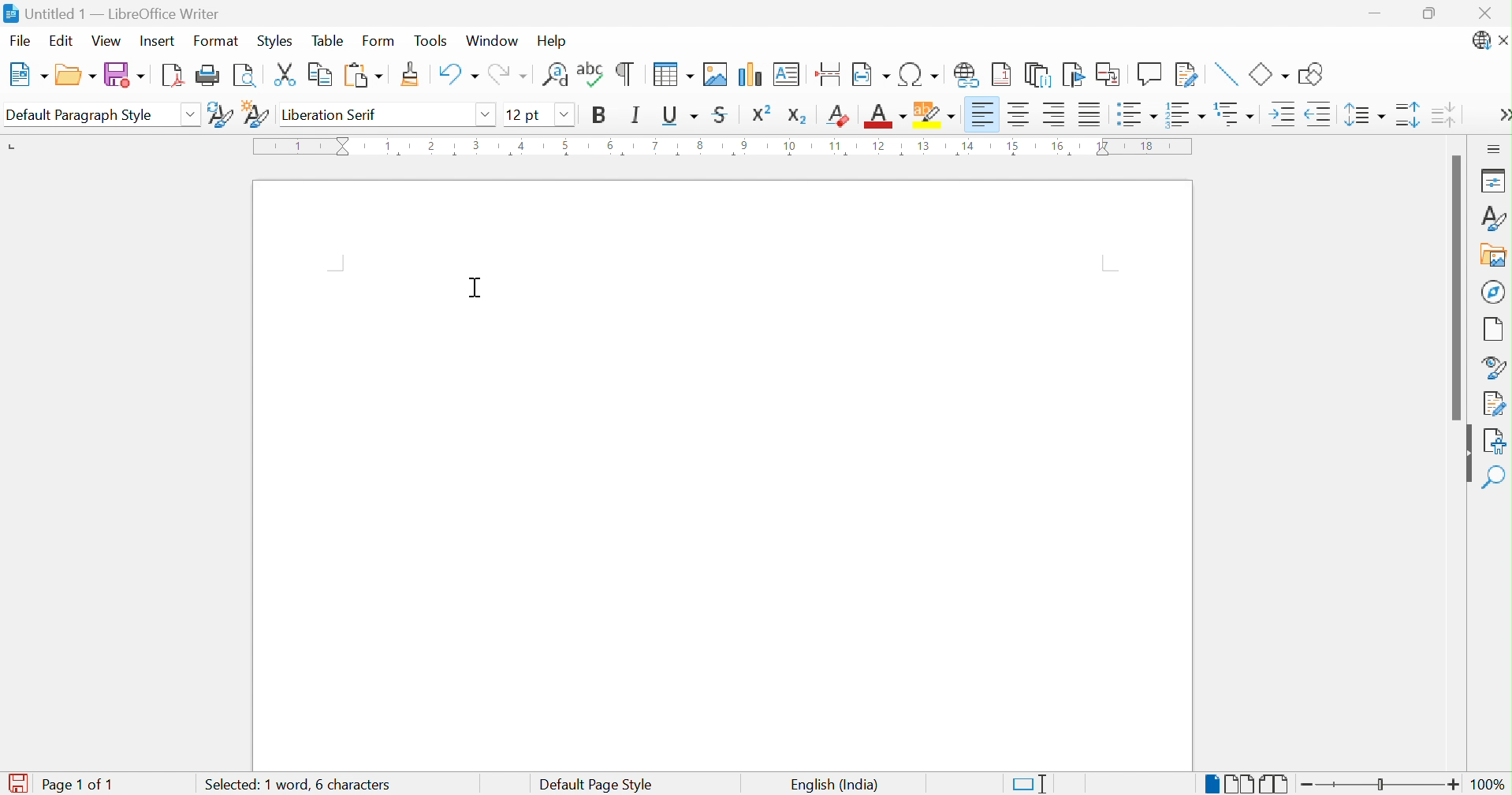 This screenshot has width=1512, height=795. What do you see at coordinates (932, 114) in the screenshot?
I see `Character Highlighting Color` at bounding box center [932, 114].